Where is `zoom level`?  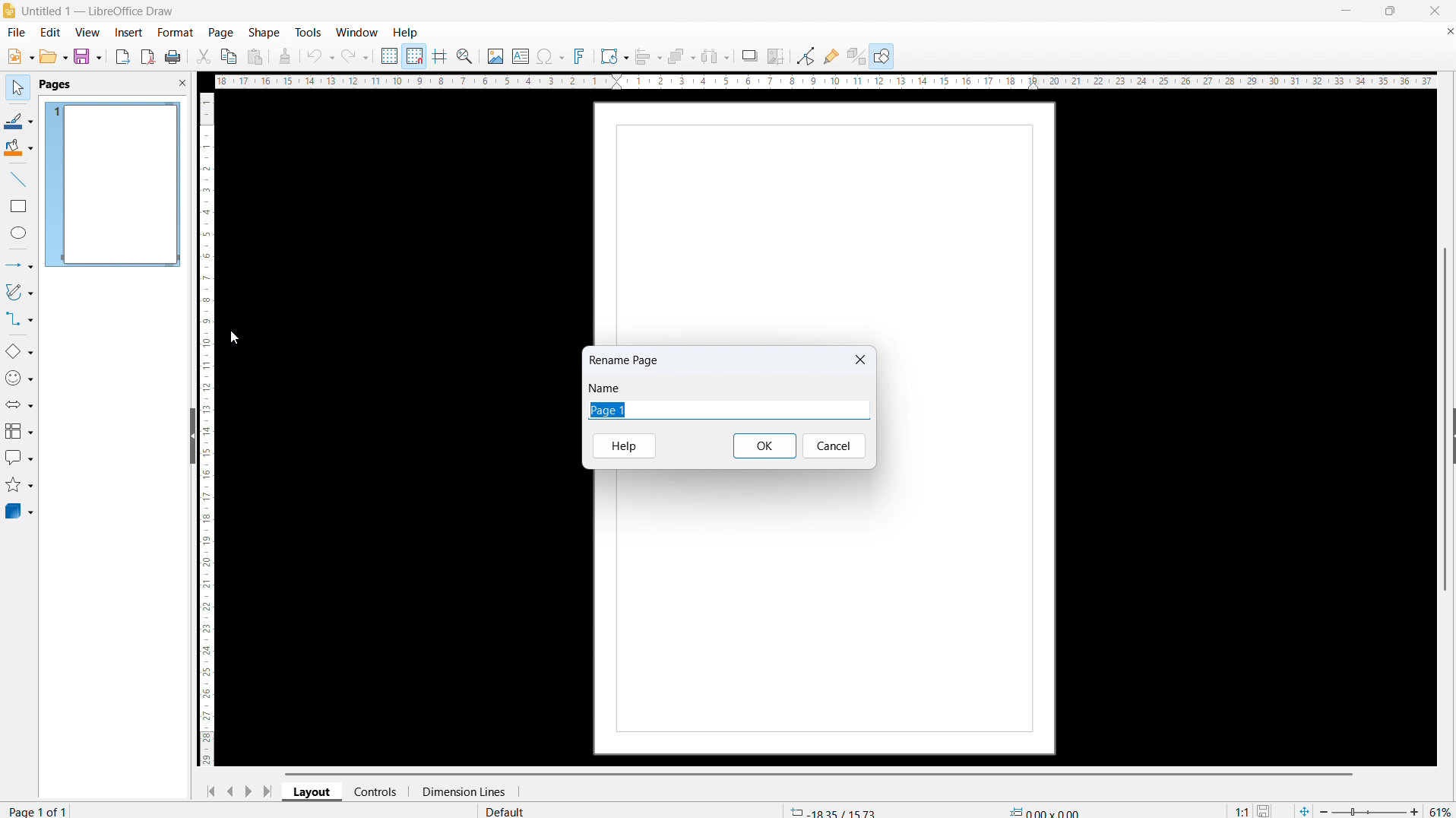 zoom level is located at coordinates (1441, 809).